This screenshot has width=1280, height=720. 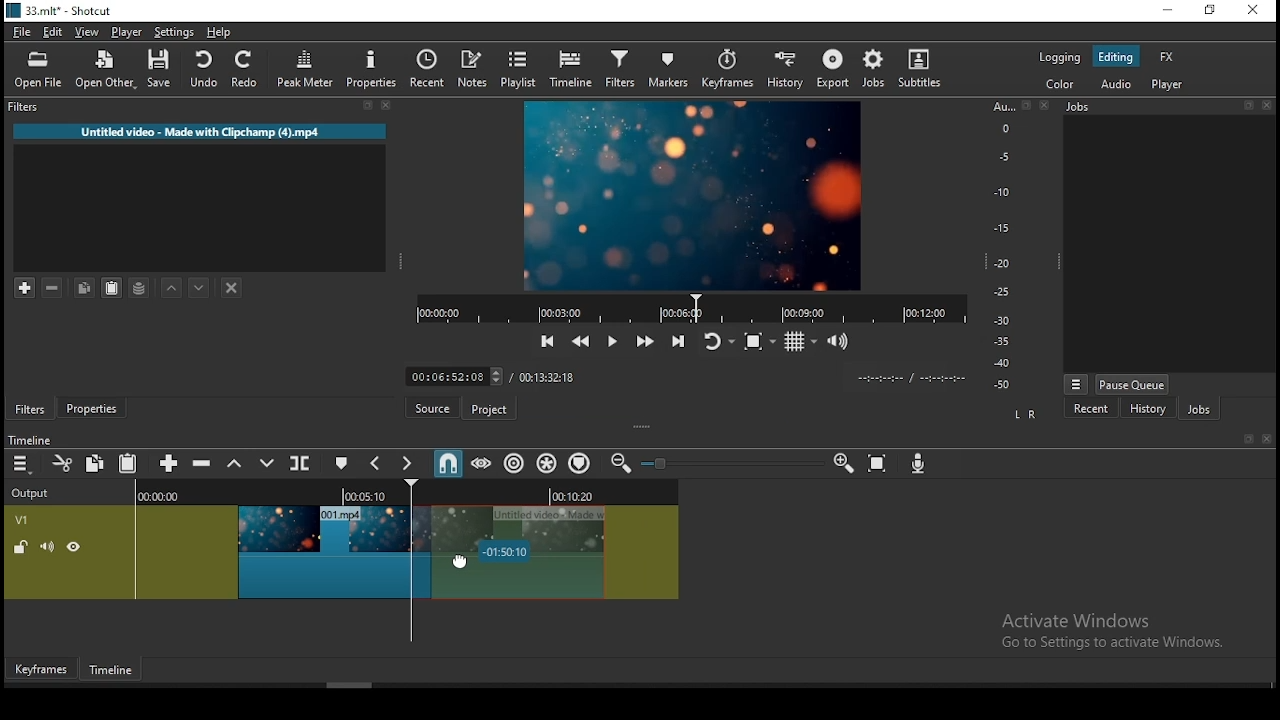 I want to click on open other, so click(x=104, y=70).